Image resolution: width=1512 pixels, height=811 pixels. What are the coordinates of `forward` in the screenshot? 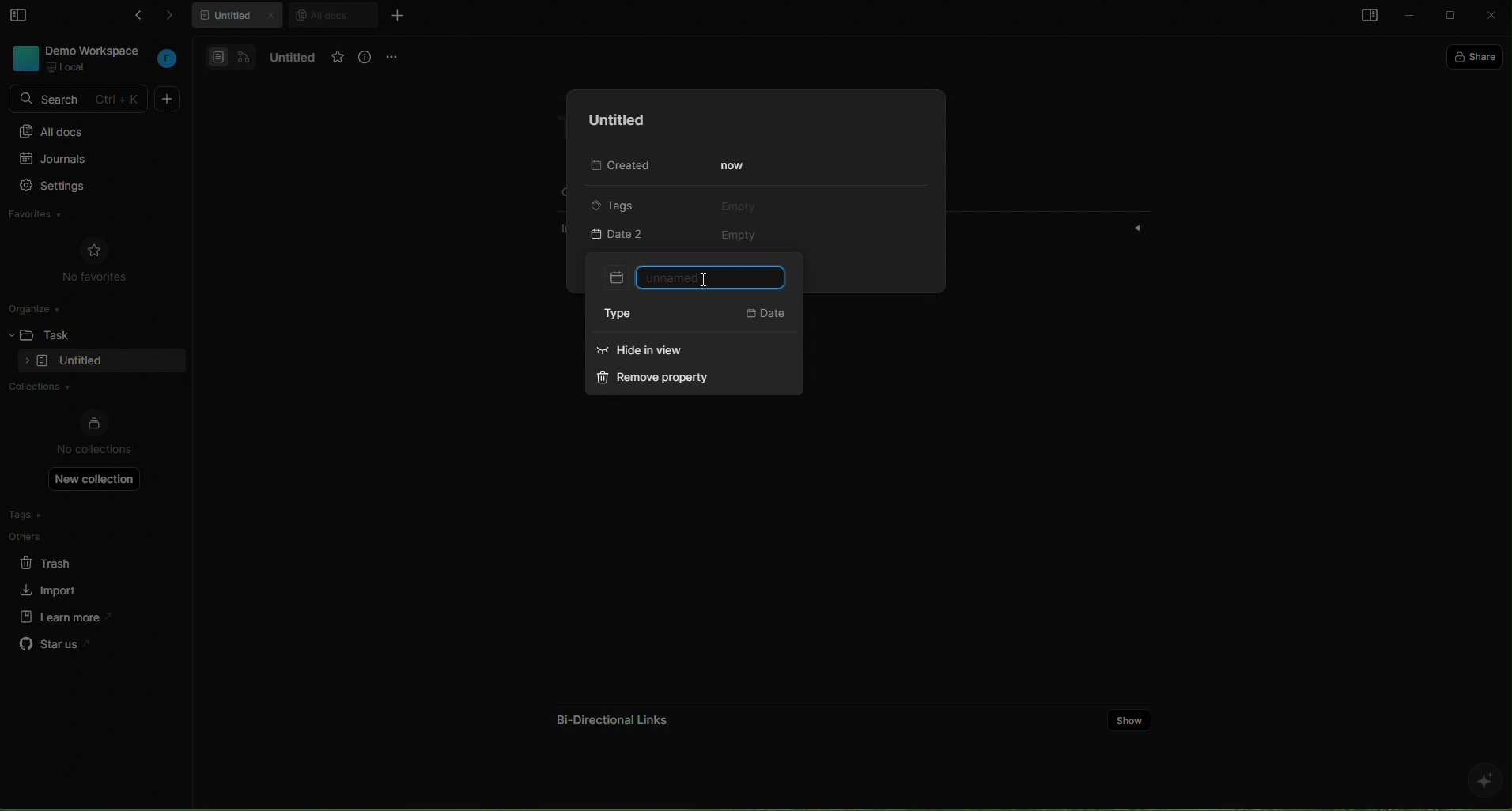 It's located at (177, 18).